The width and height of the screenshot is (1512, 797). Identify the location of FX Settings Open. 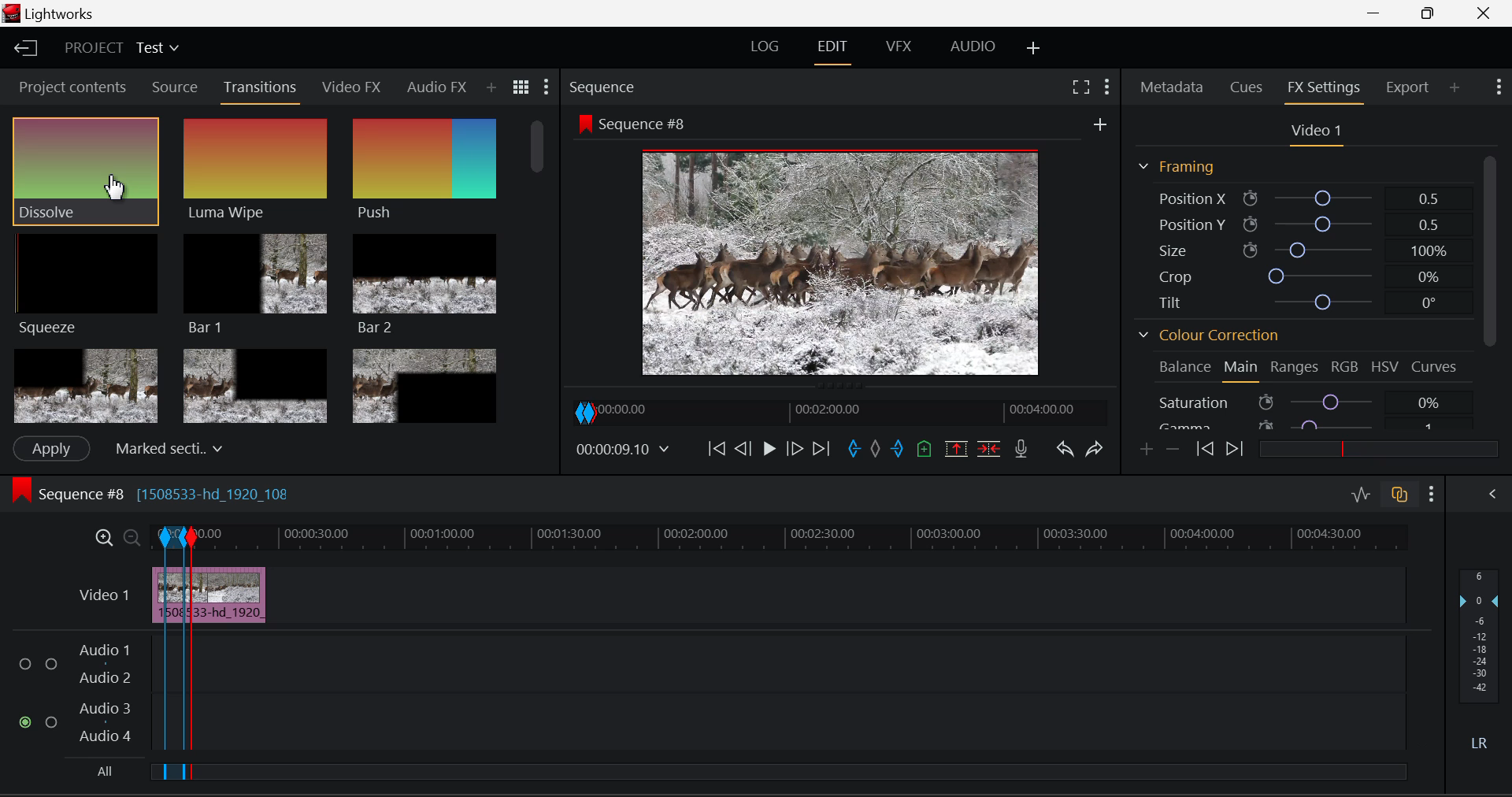
(1327, 89).